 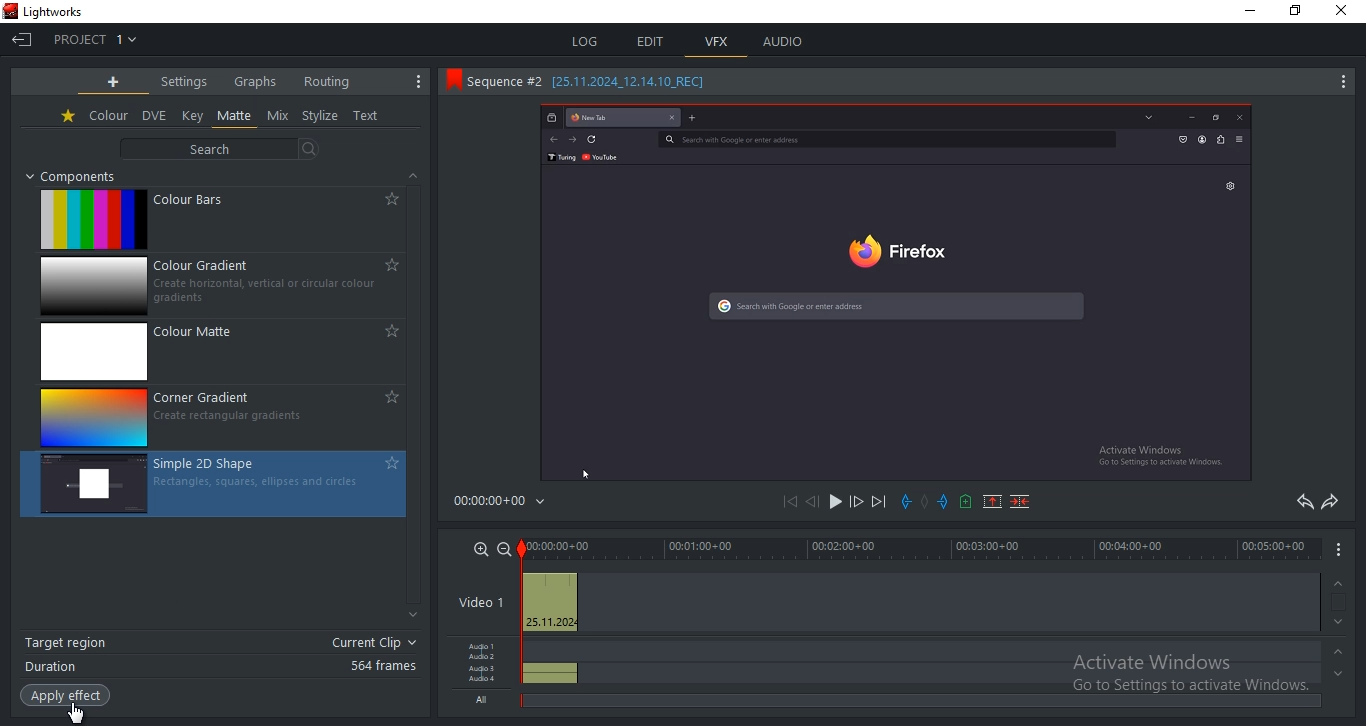 What do you see at coordinates (320, 116) in the screenshot?
I see `stylize` at bounding box center [320, 116].